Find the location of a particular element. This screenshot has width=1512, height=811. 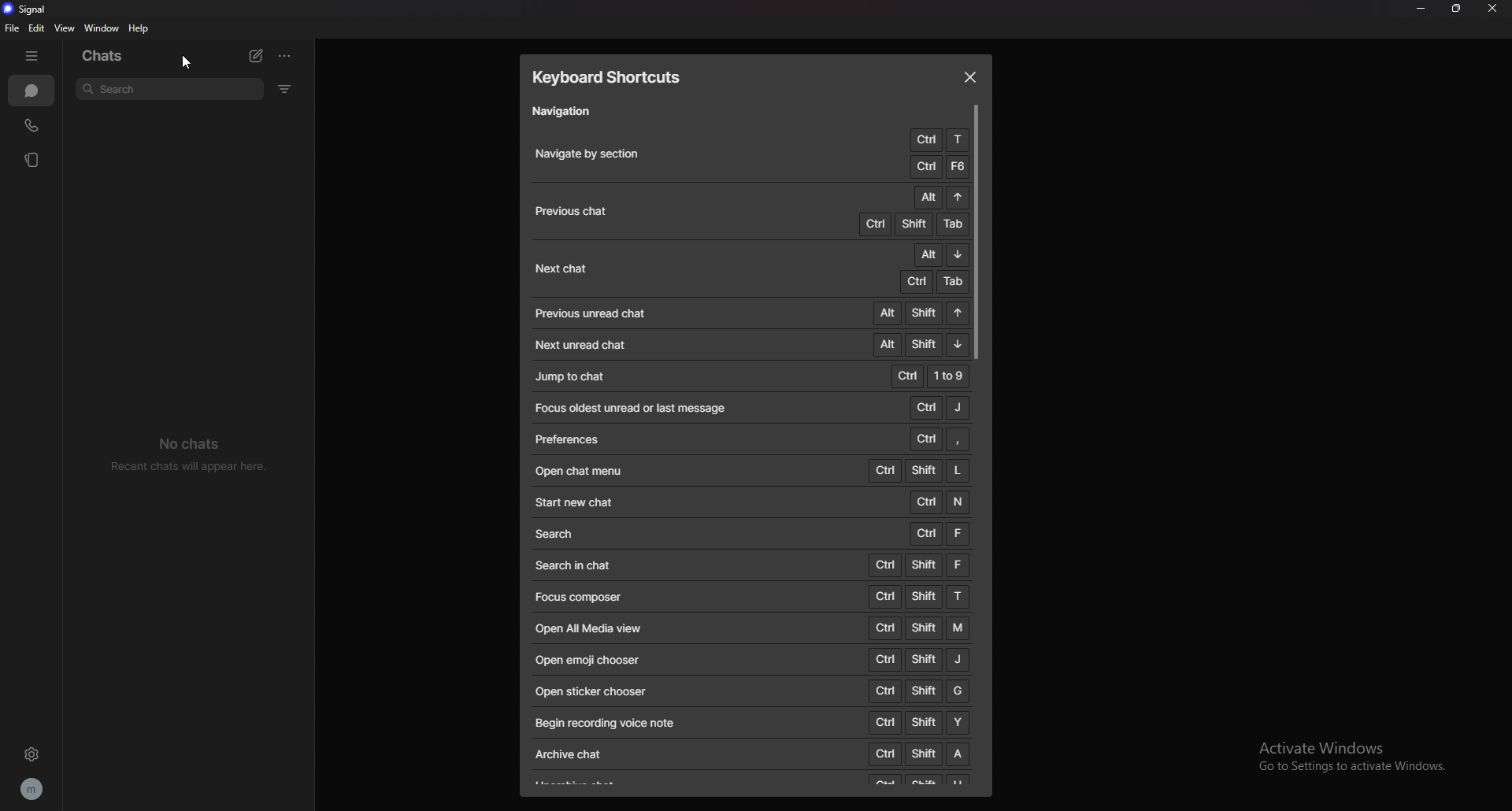

new chat is located at coordinates (256, 57).